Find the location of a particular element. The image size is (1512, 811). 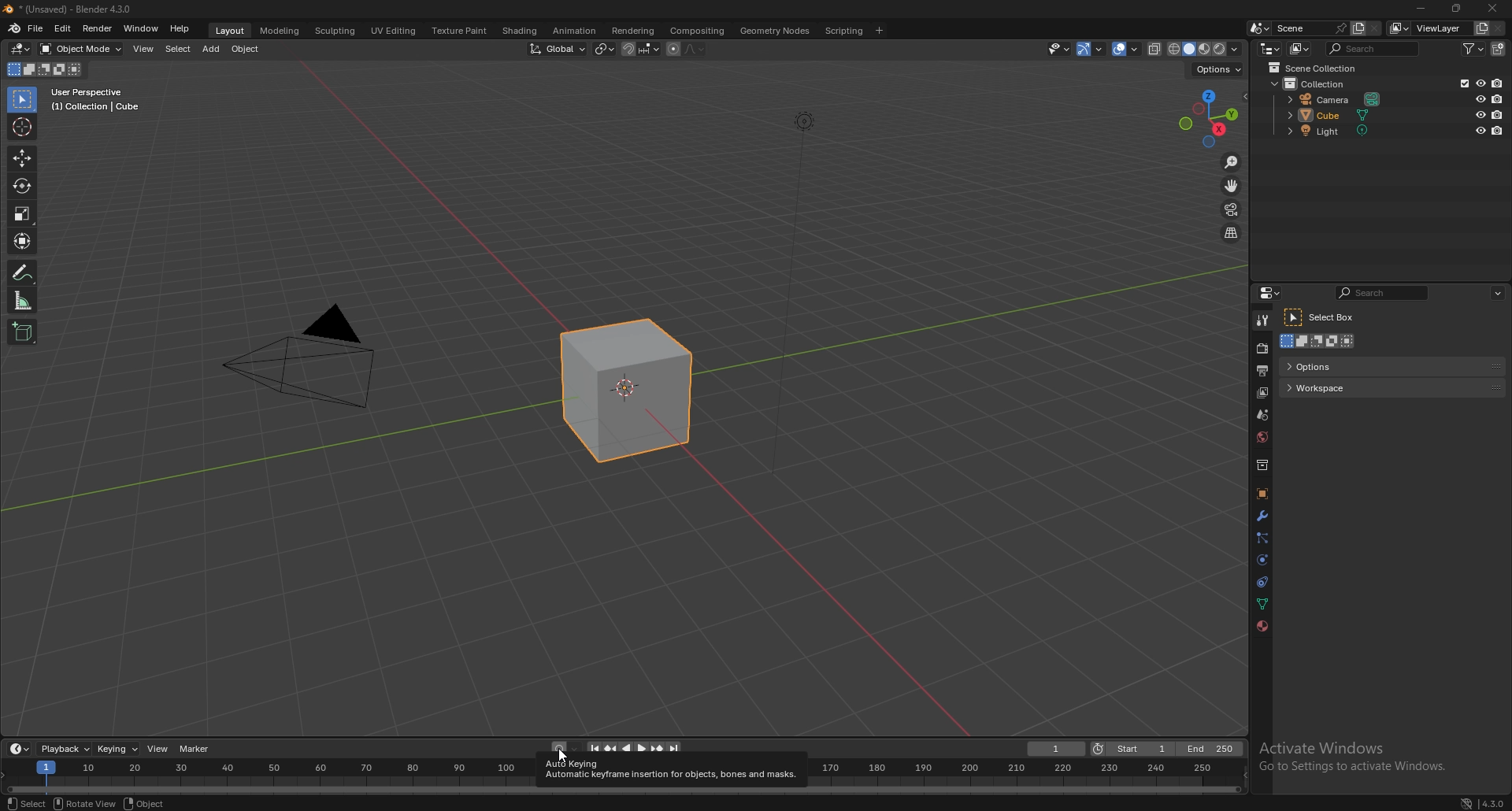

move is located at coordinates (1232, 185).